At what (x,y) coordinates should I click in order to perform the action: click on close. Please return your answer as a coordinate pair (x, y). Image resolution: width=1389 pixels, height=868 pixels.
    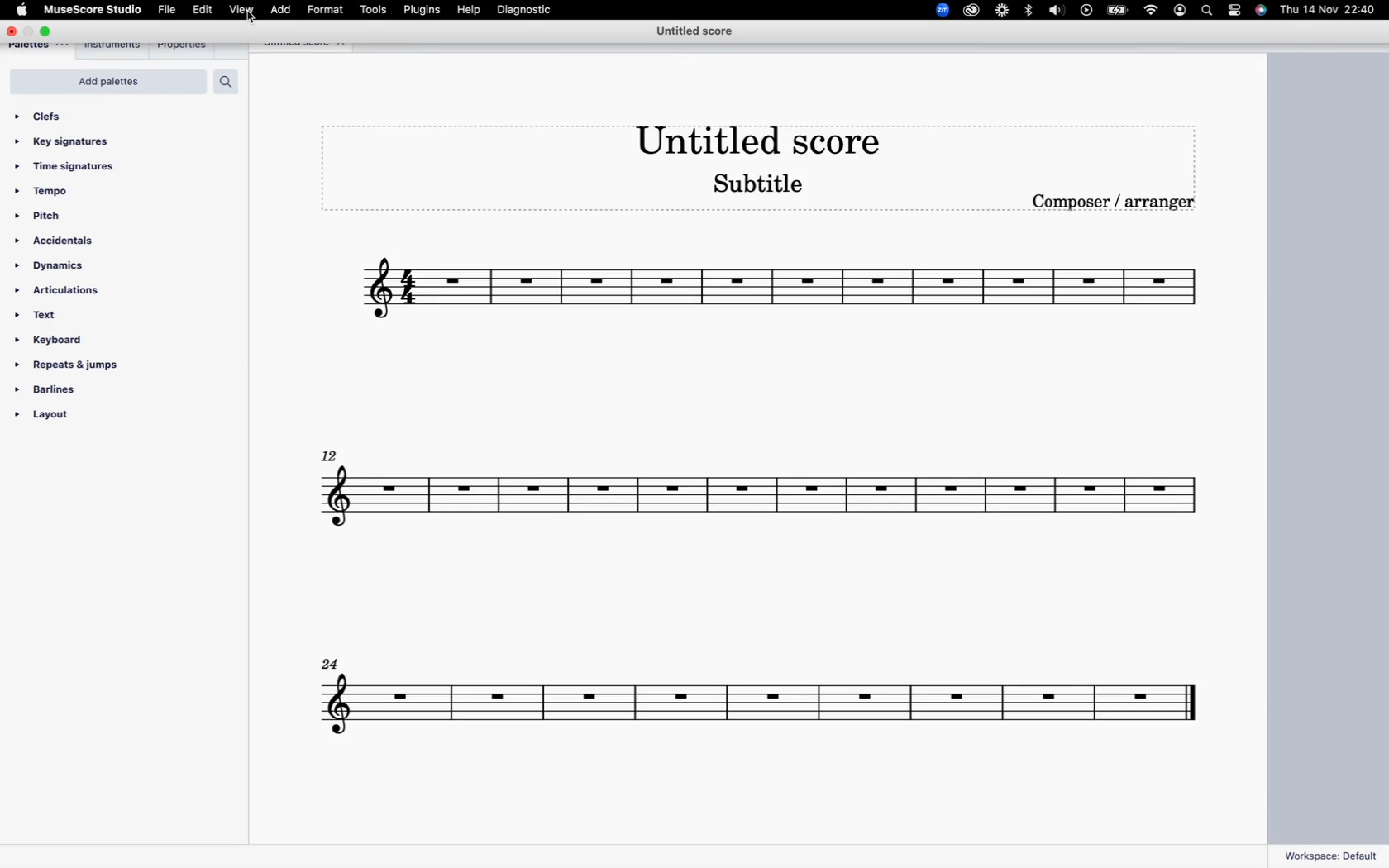
    Looking at the image, I should click on (11, 31).